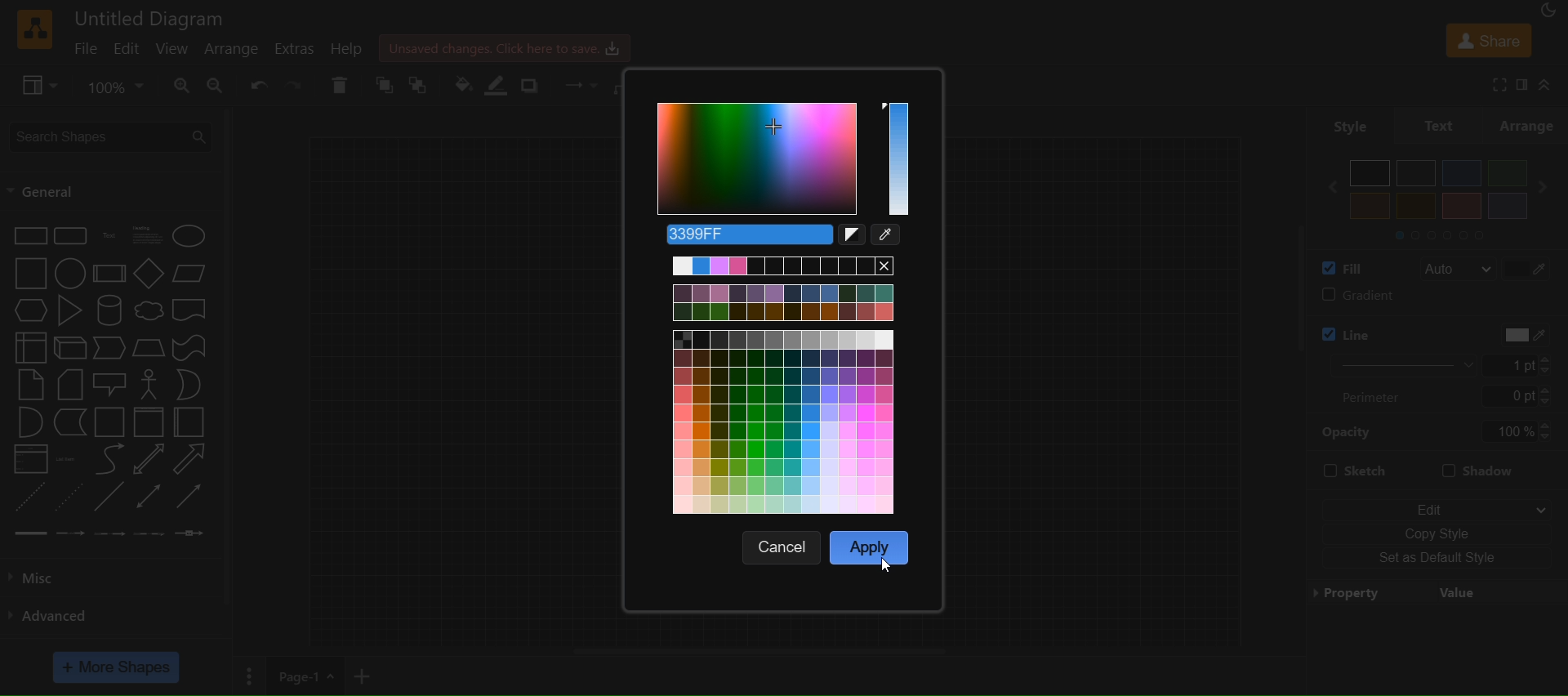 Image resolution: width=1568 pixels, height=696 pixels. I want to click on card, so click(70, 386).